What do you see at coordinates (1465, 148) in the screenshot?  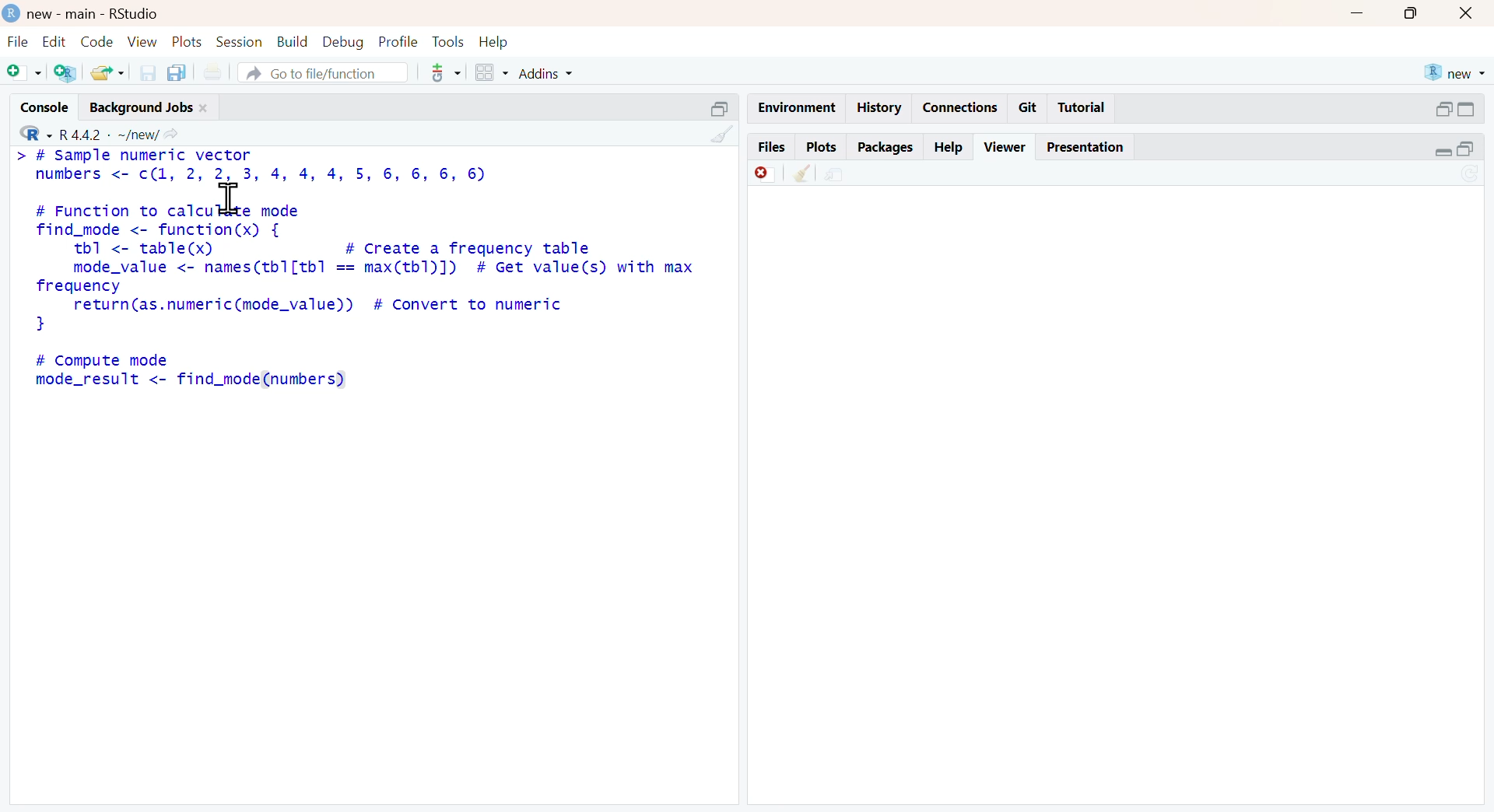 I see `open in separate window` at bounding box center [1465, 148].